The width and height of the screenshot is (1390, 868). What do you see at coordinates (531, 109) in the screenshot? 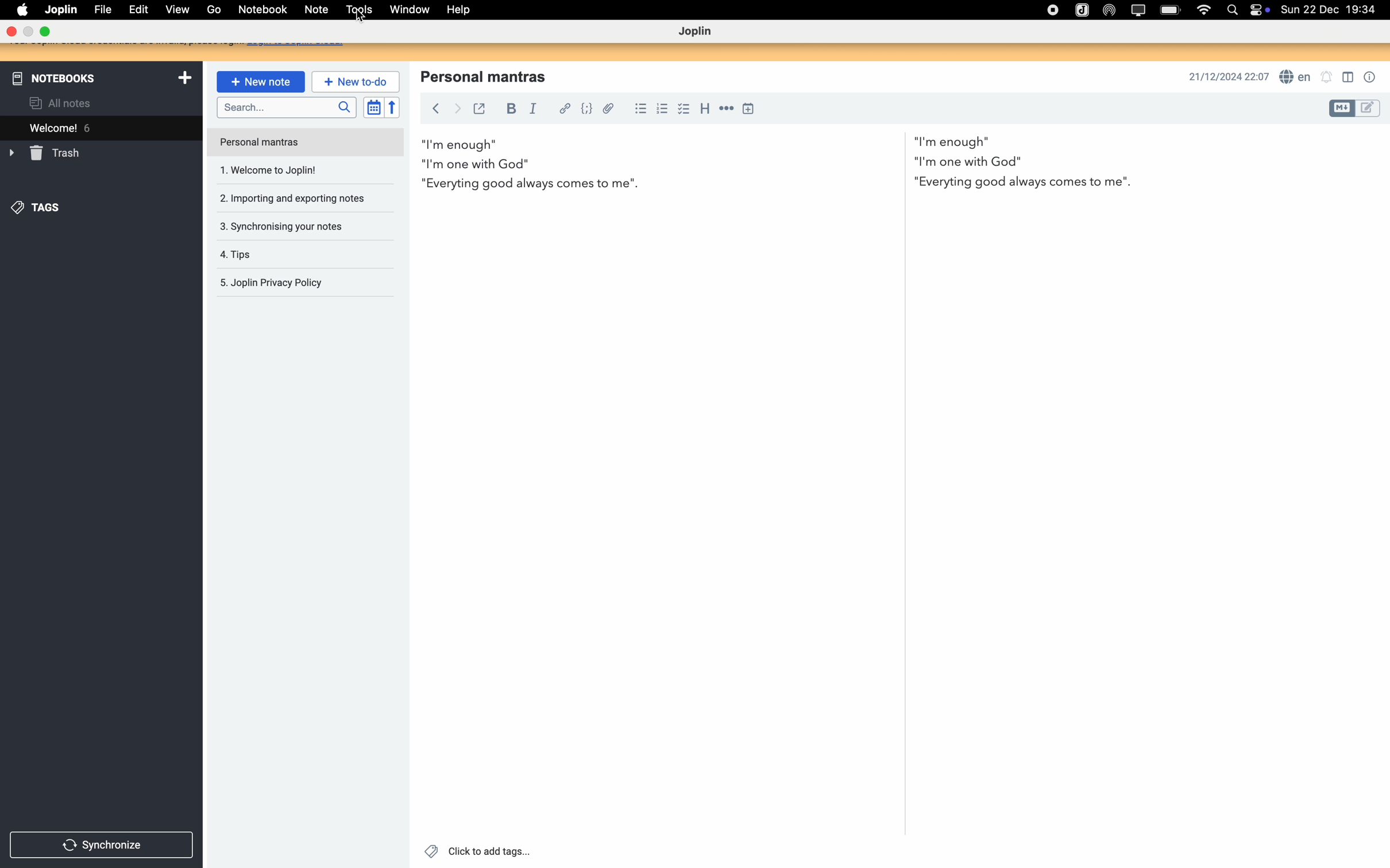
I see `italic` at bounding box center [531, 109].